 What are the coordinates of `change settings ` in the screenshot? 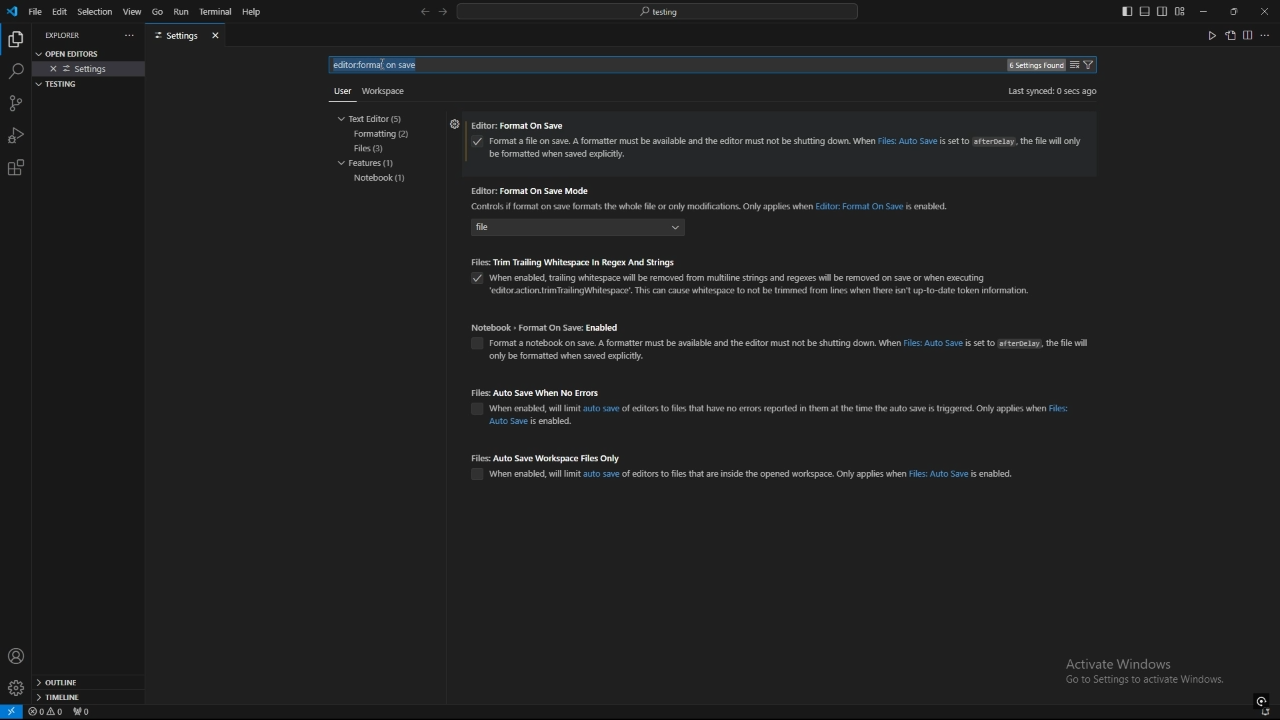 It's located at (1074, 65).